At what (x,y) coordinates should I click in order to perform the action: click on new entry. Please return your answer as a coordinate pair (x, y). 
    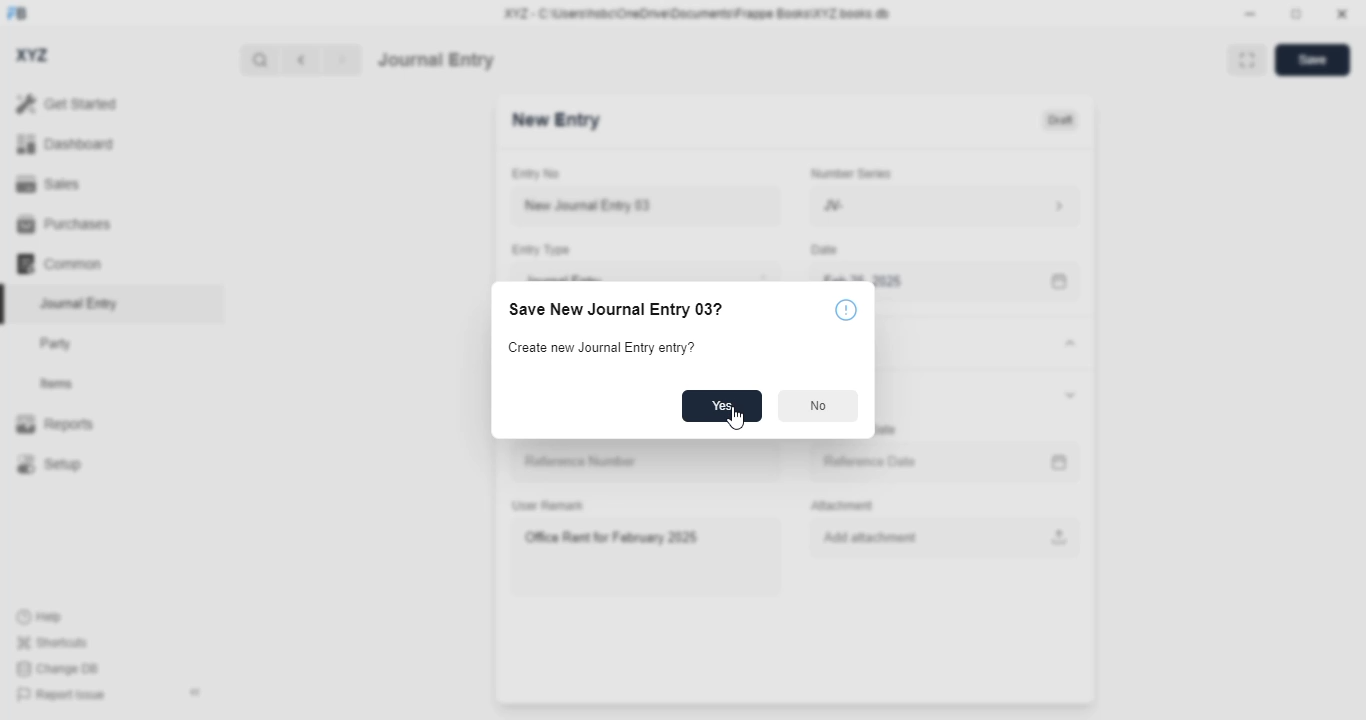
    Looking at the image, I should click on (554, 120).